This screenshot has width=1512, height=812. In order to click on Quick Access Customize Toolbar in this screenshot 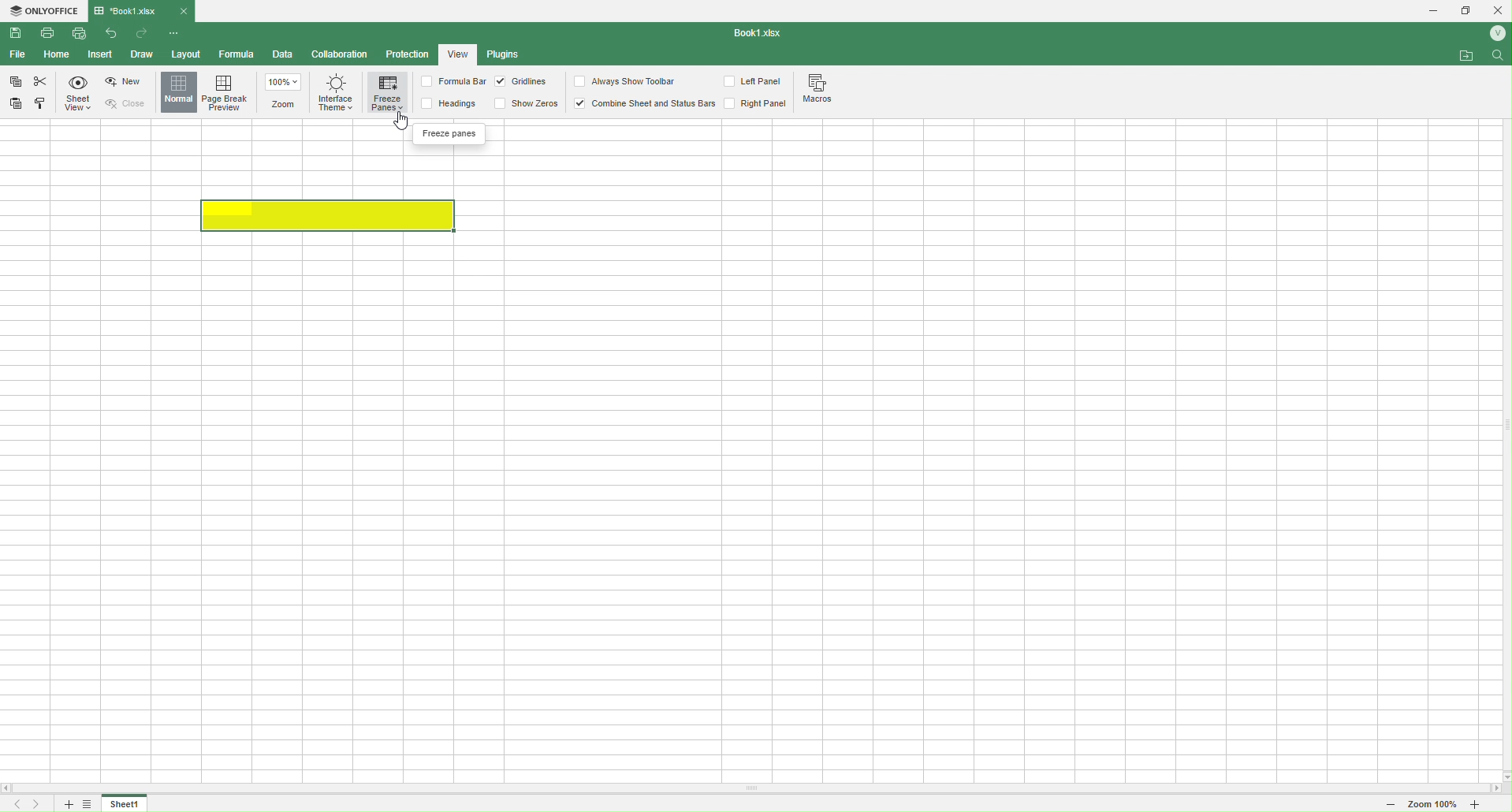, I will do `click(175, 35)`.